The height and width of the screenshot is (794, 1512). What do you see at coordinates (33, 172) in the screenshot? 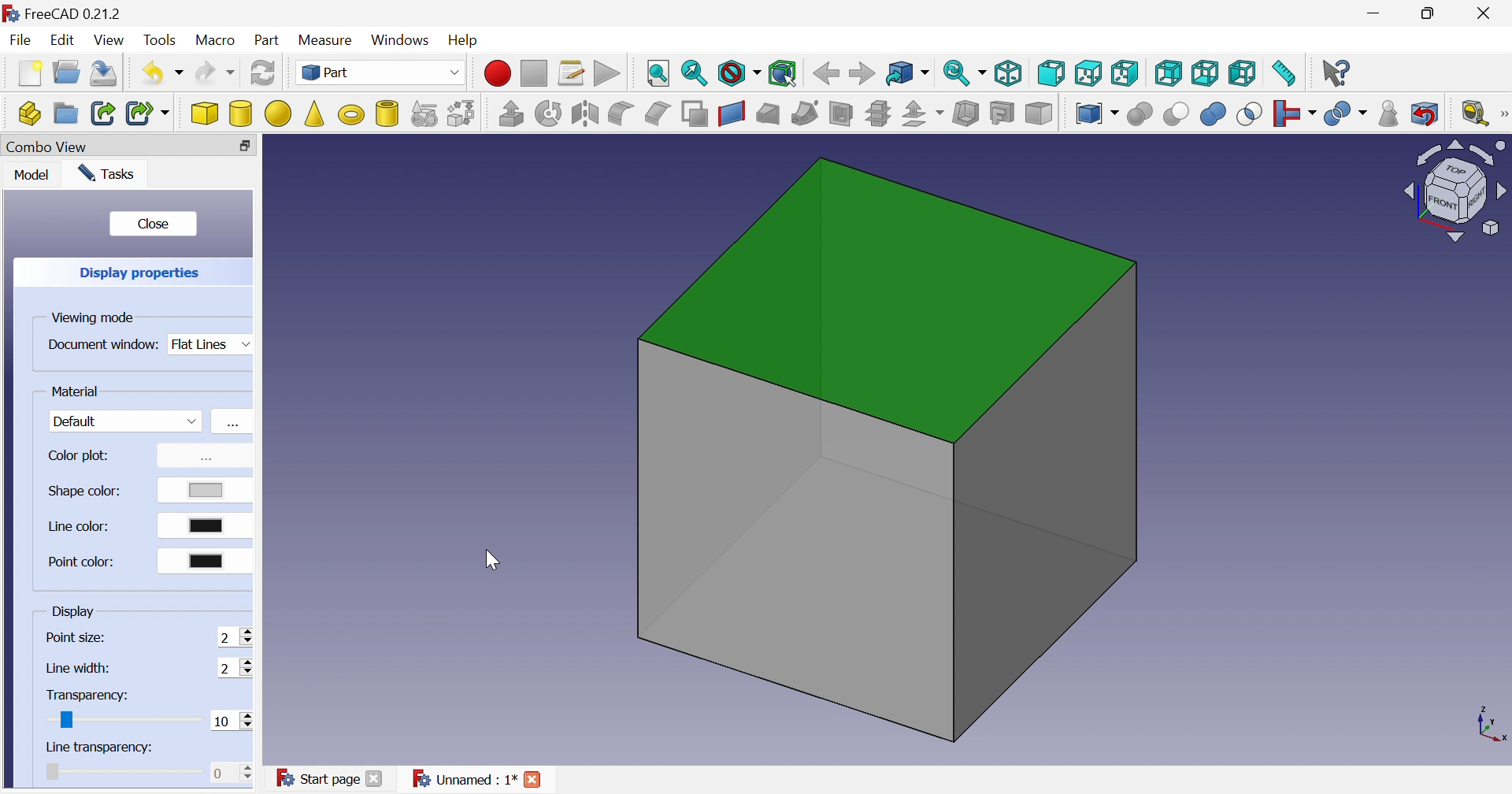
I see `Model` at bounding box center [33, 172].